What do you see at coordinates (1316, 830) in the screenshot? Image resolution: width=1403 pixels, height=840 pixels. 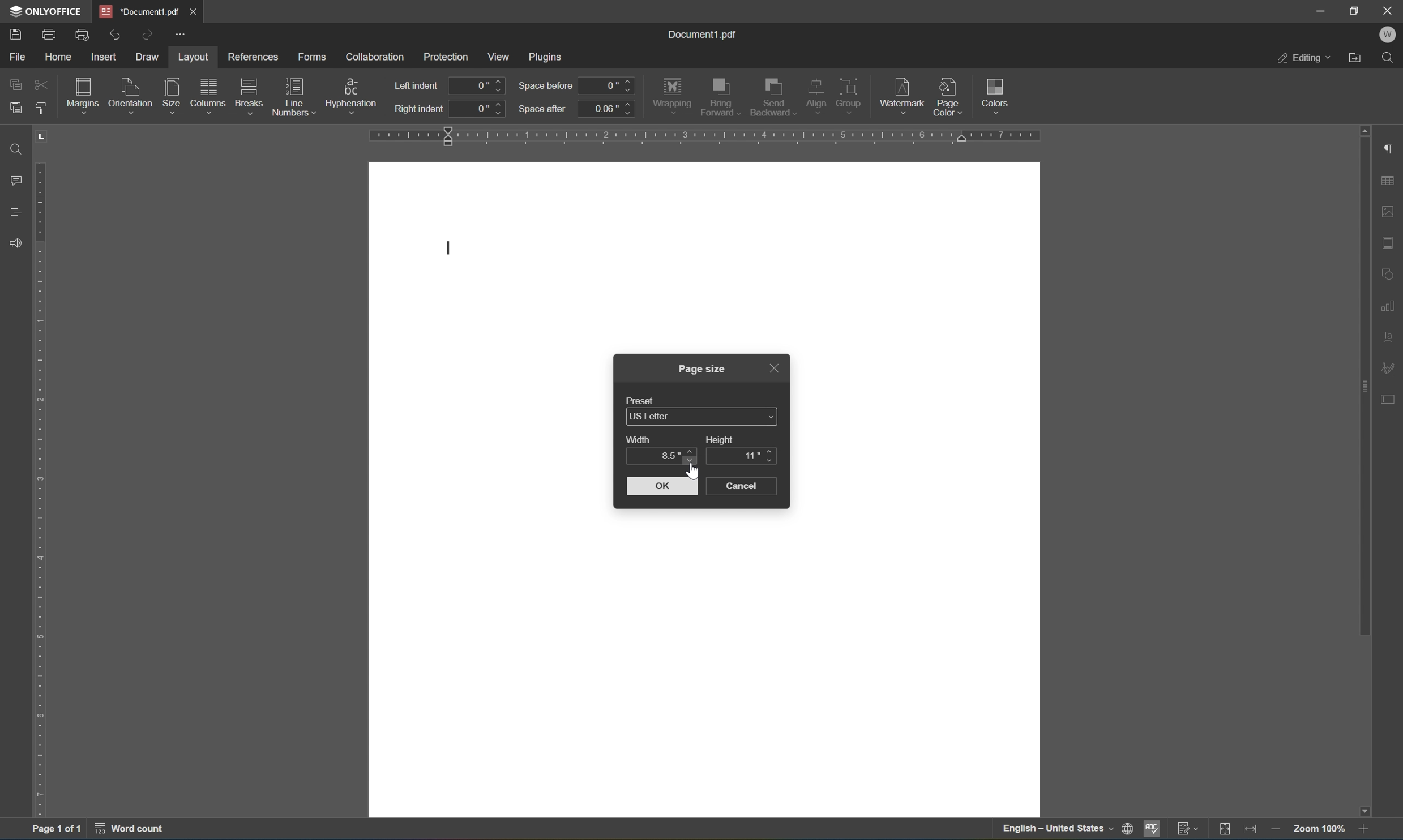 I see `zoom 100%` at bounding box center [1316, 830].